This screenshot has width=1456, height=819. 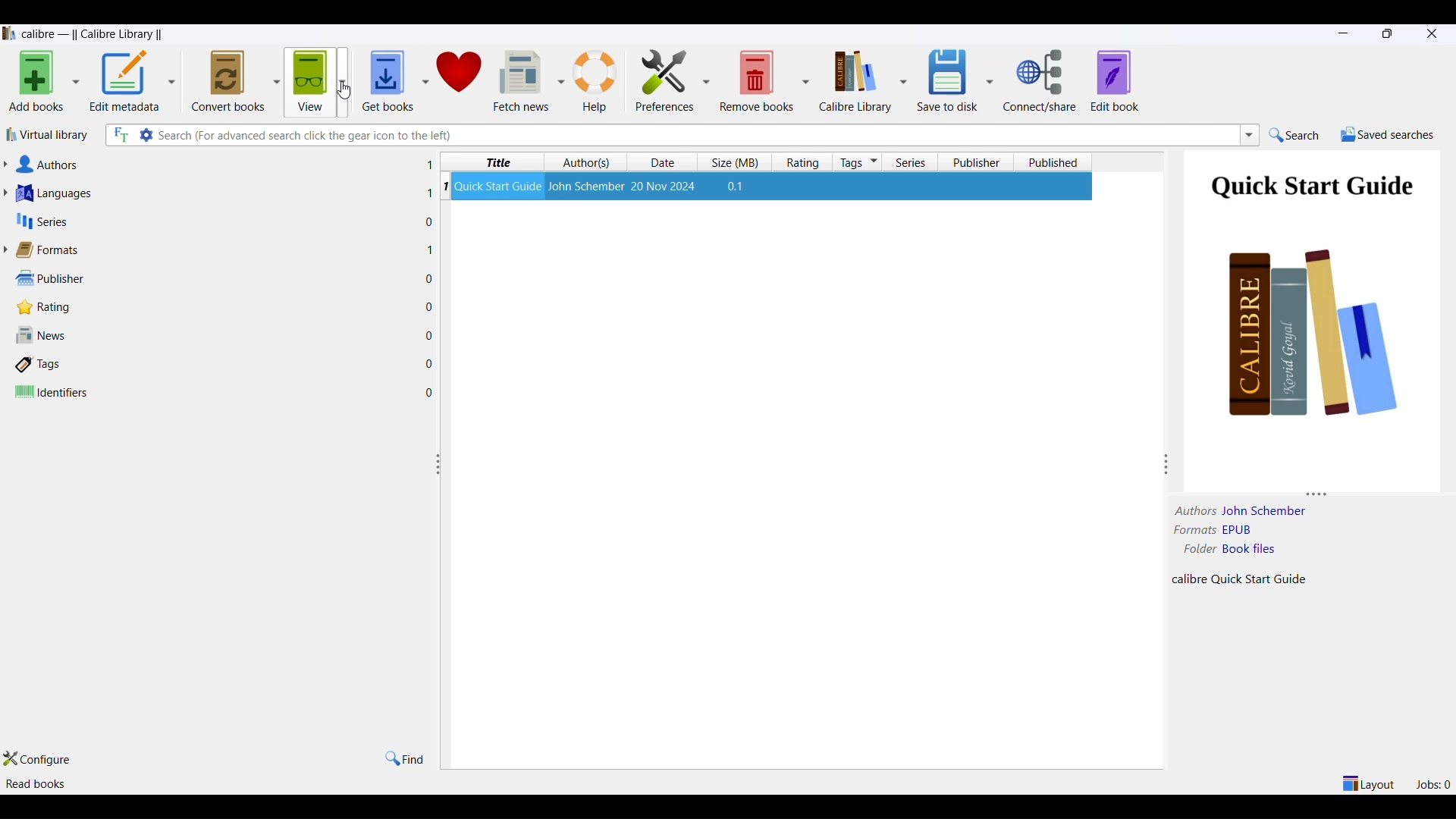 What do you see at coordinates (1272, 551) in the screenshot?
I see `Book files` at bounding box center [1272, 551].